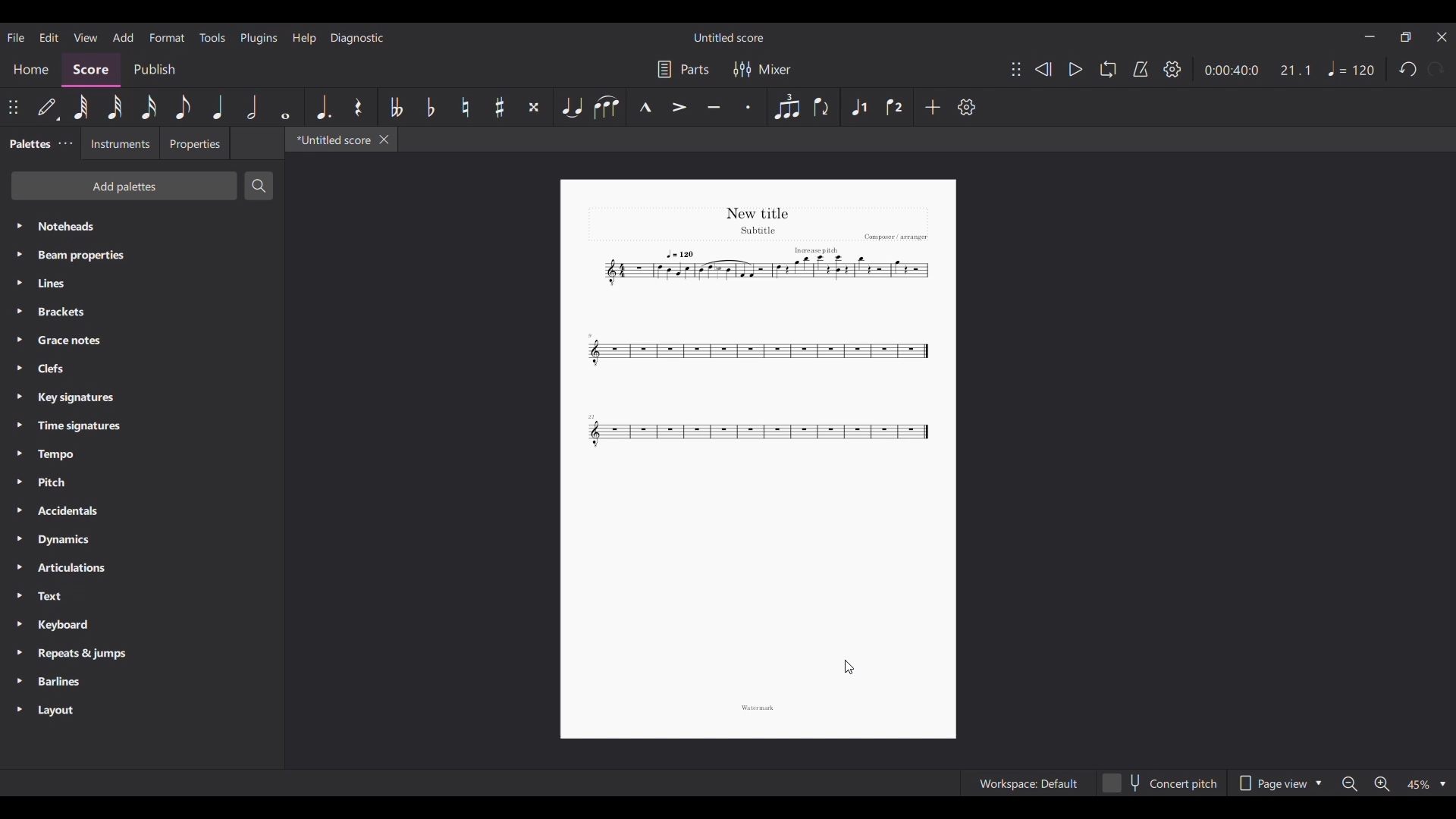 Image resolution: width=1456 pixels, height=819 pixels. Describe the element at coordinates (49, 108) in the screenshot. I see `Default` at that location.